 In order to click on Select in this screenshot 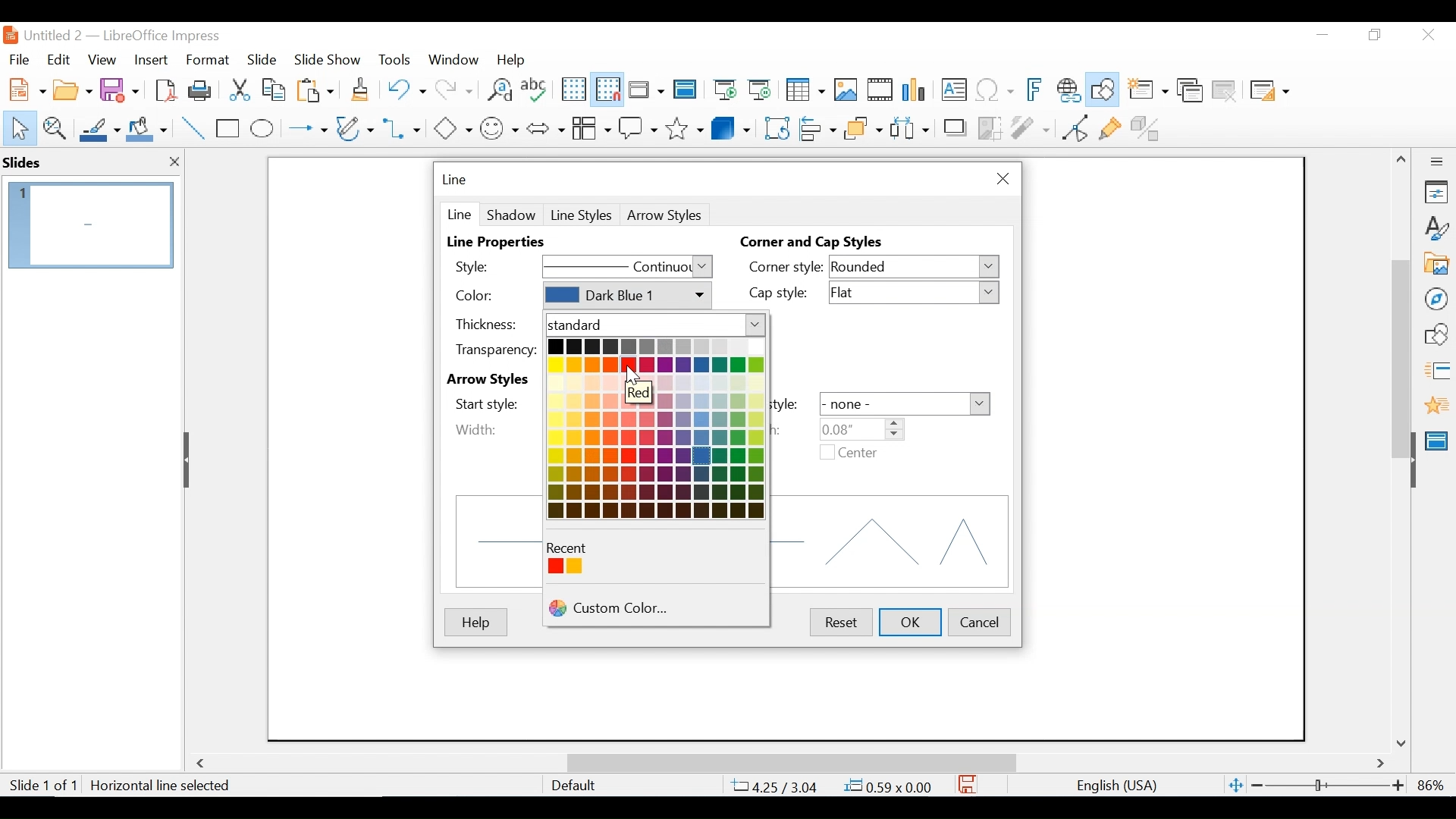, I will do `click(17, 127)`.